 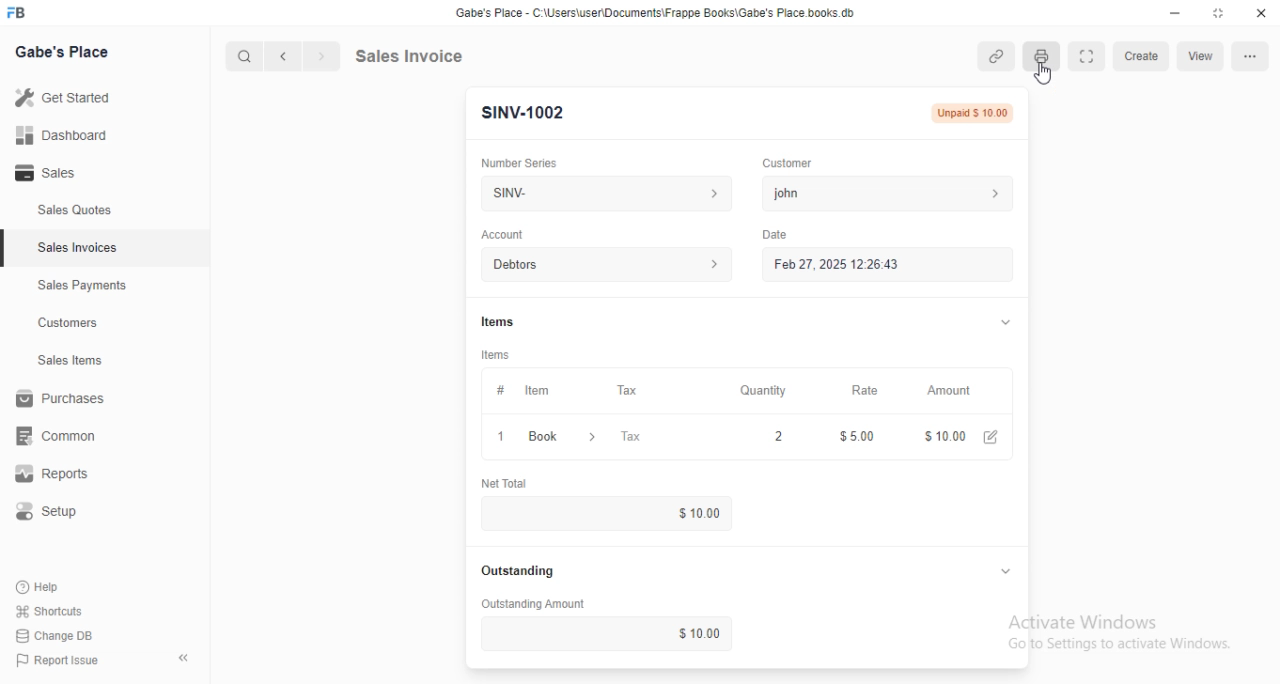 I want to click on common, so click(x=55, y=436).